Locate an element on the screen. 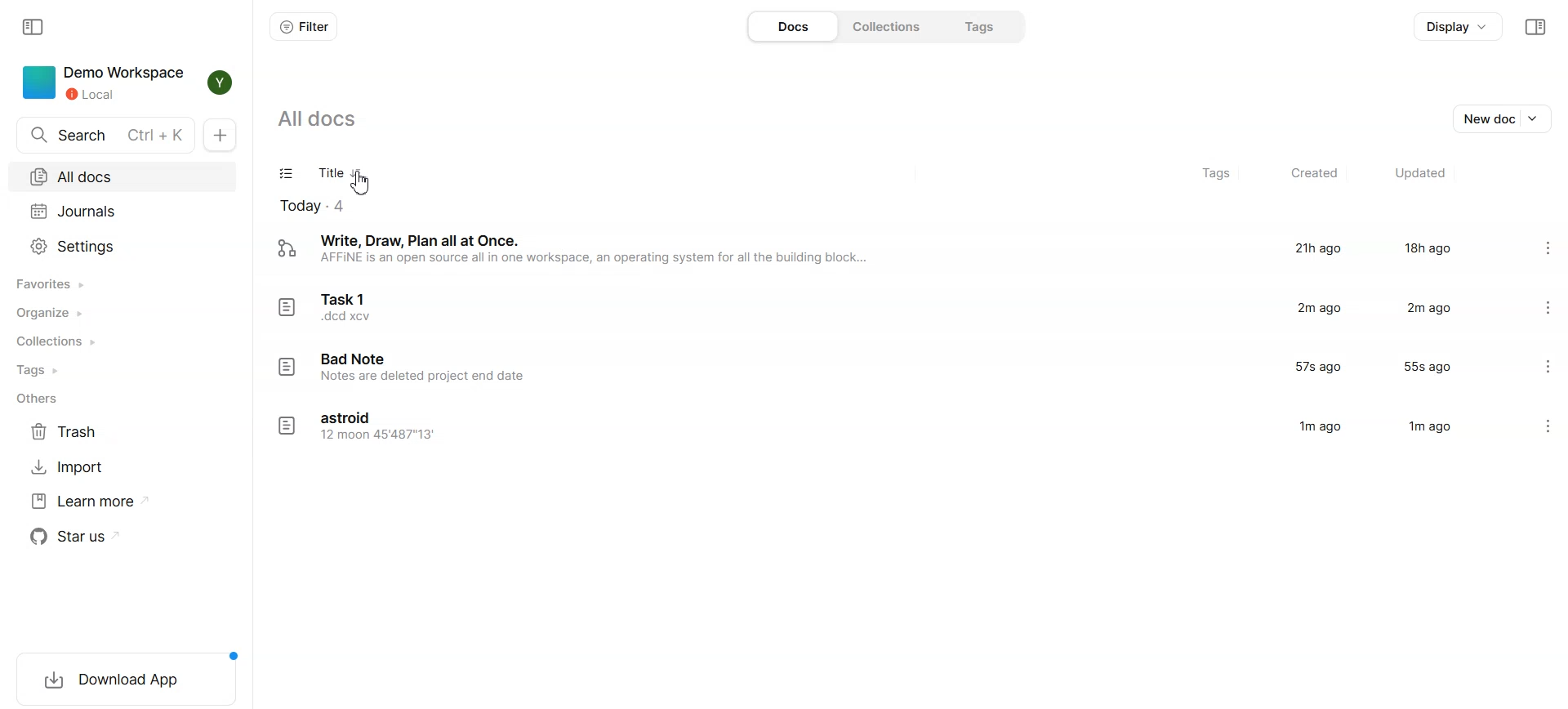 The image size is (1568, 709). Star us is located at coordinates (87, 536).